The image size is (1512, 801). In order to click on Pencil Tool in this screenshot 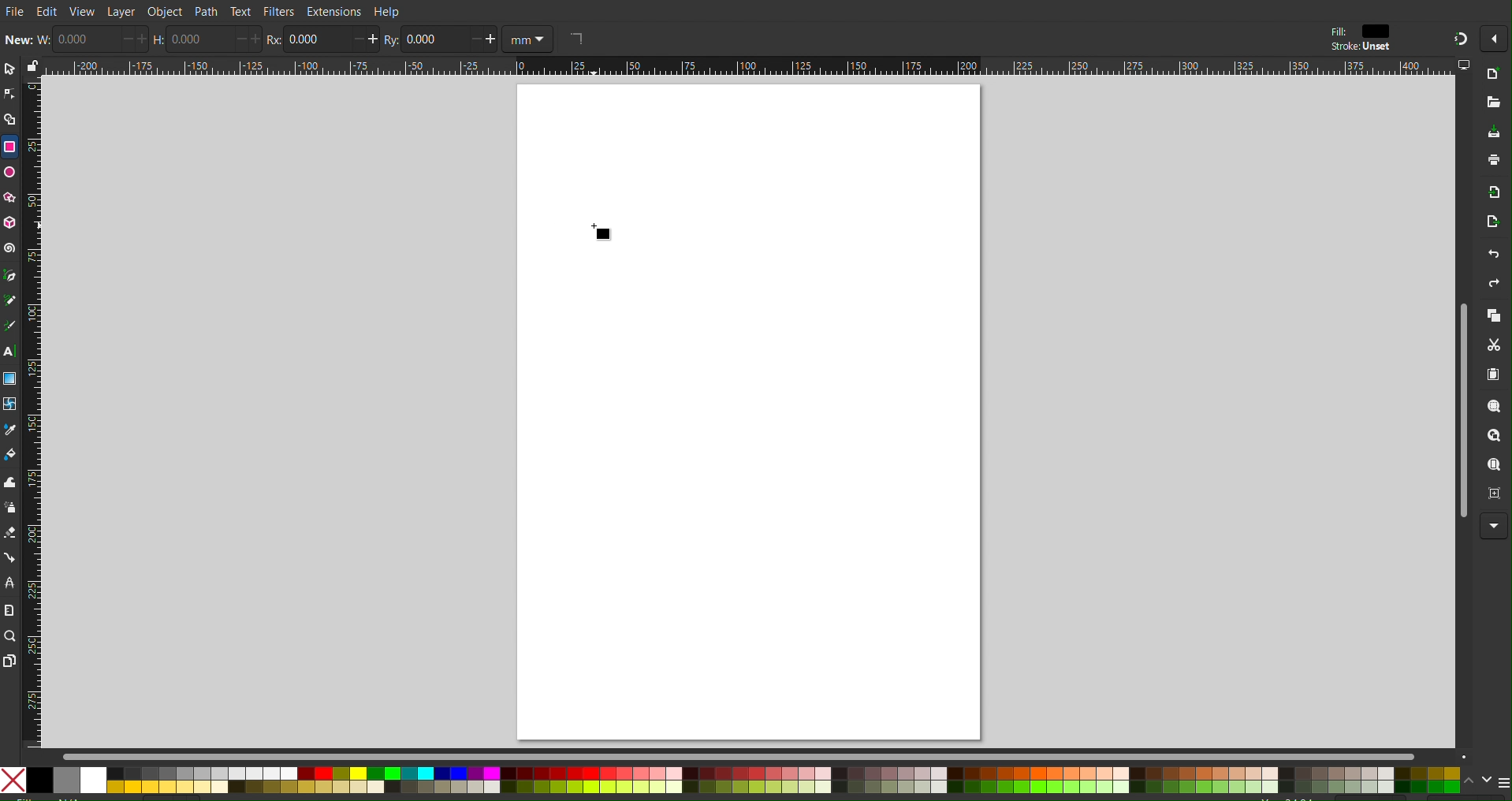, I will do `click(9, 300)`.